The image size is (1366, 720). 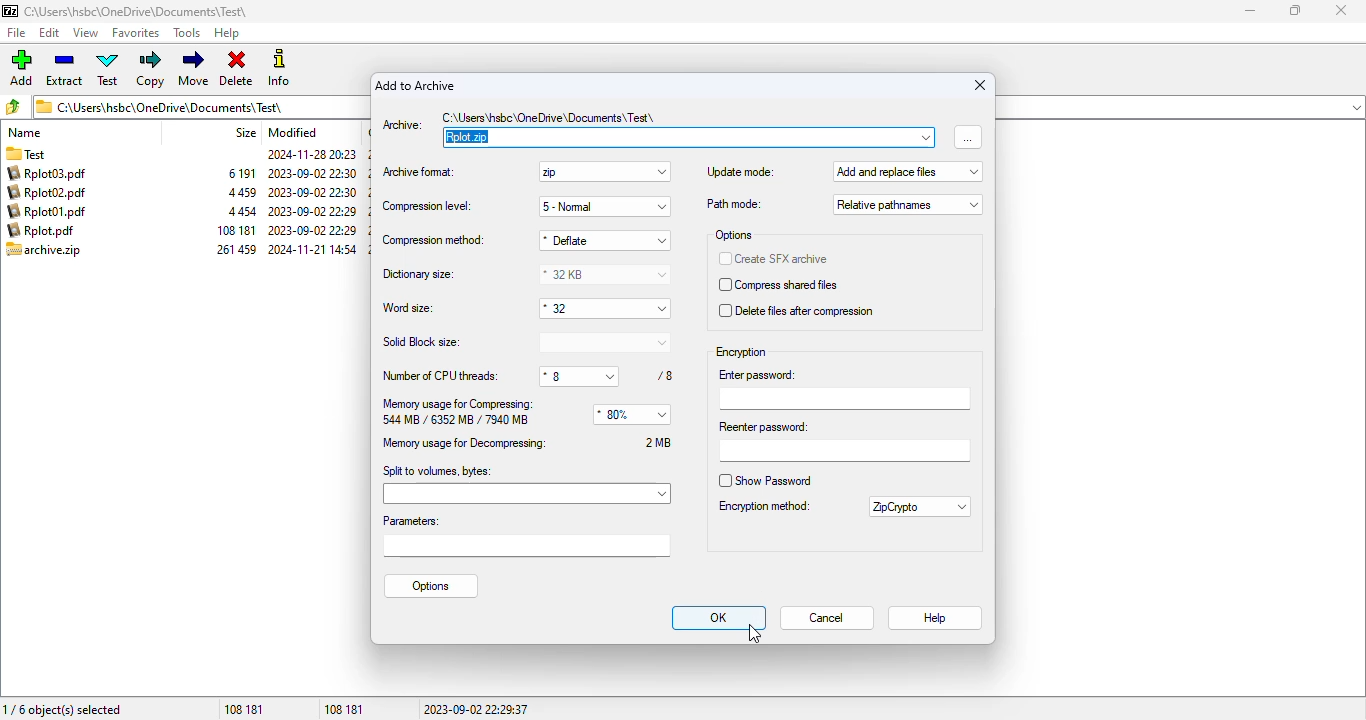 What do you see at coordinates (417, 85) in the screenshot?
I see `add to archive` at bounding box center [417, 85].